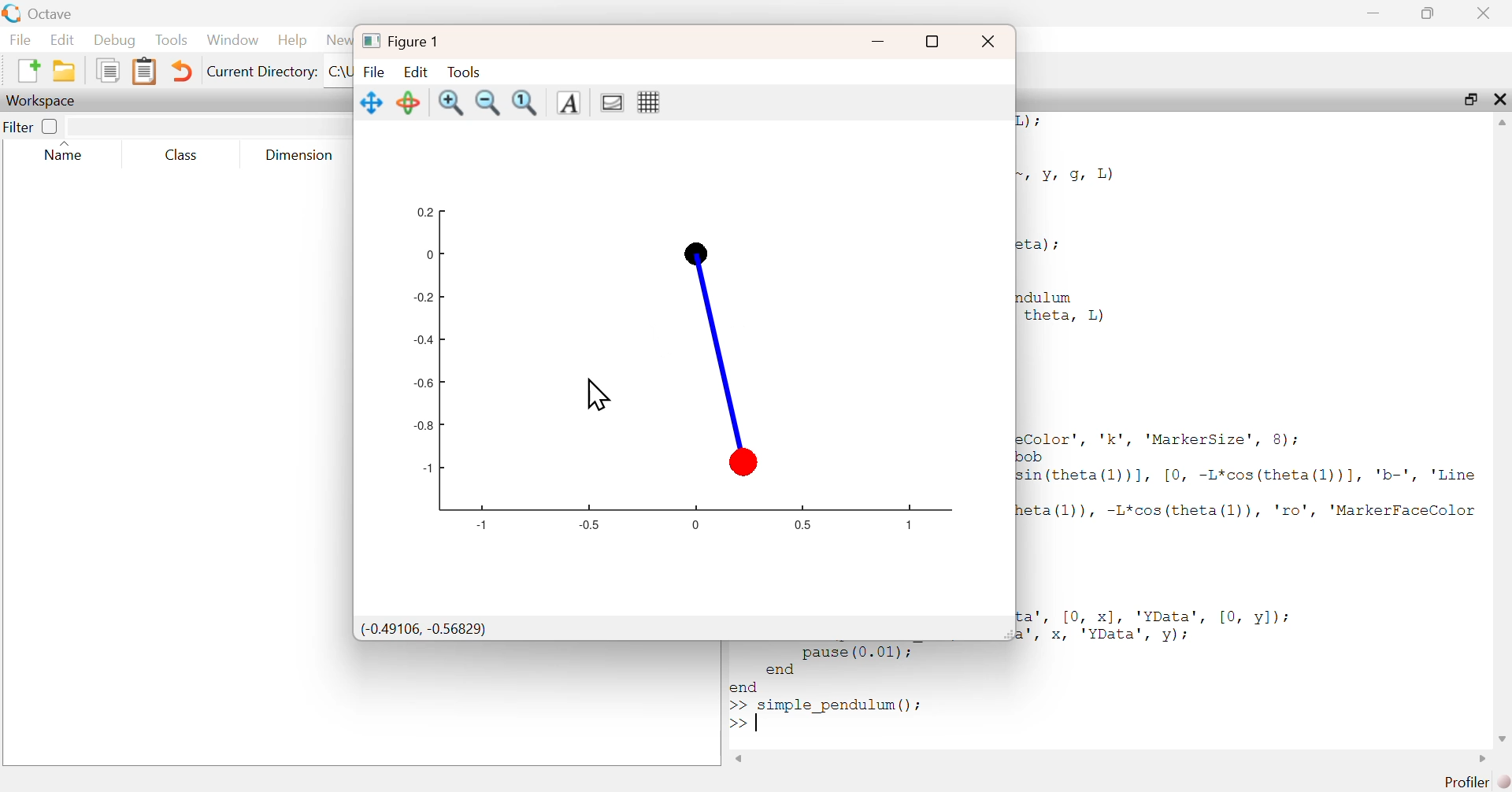 This screenshot has height=792, width=1512. I want to click on Close, so click(989, 39).